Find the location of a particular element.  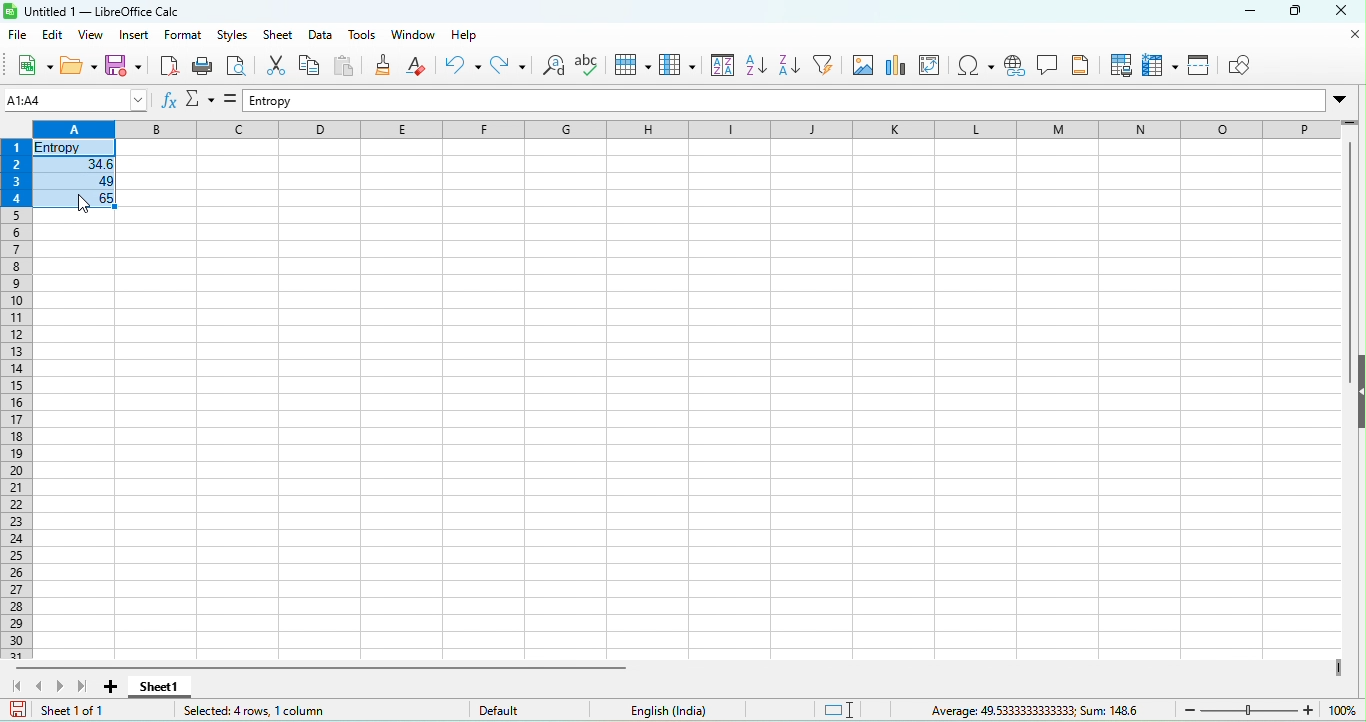

print is located at coordinates (205, 67).